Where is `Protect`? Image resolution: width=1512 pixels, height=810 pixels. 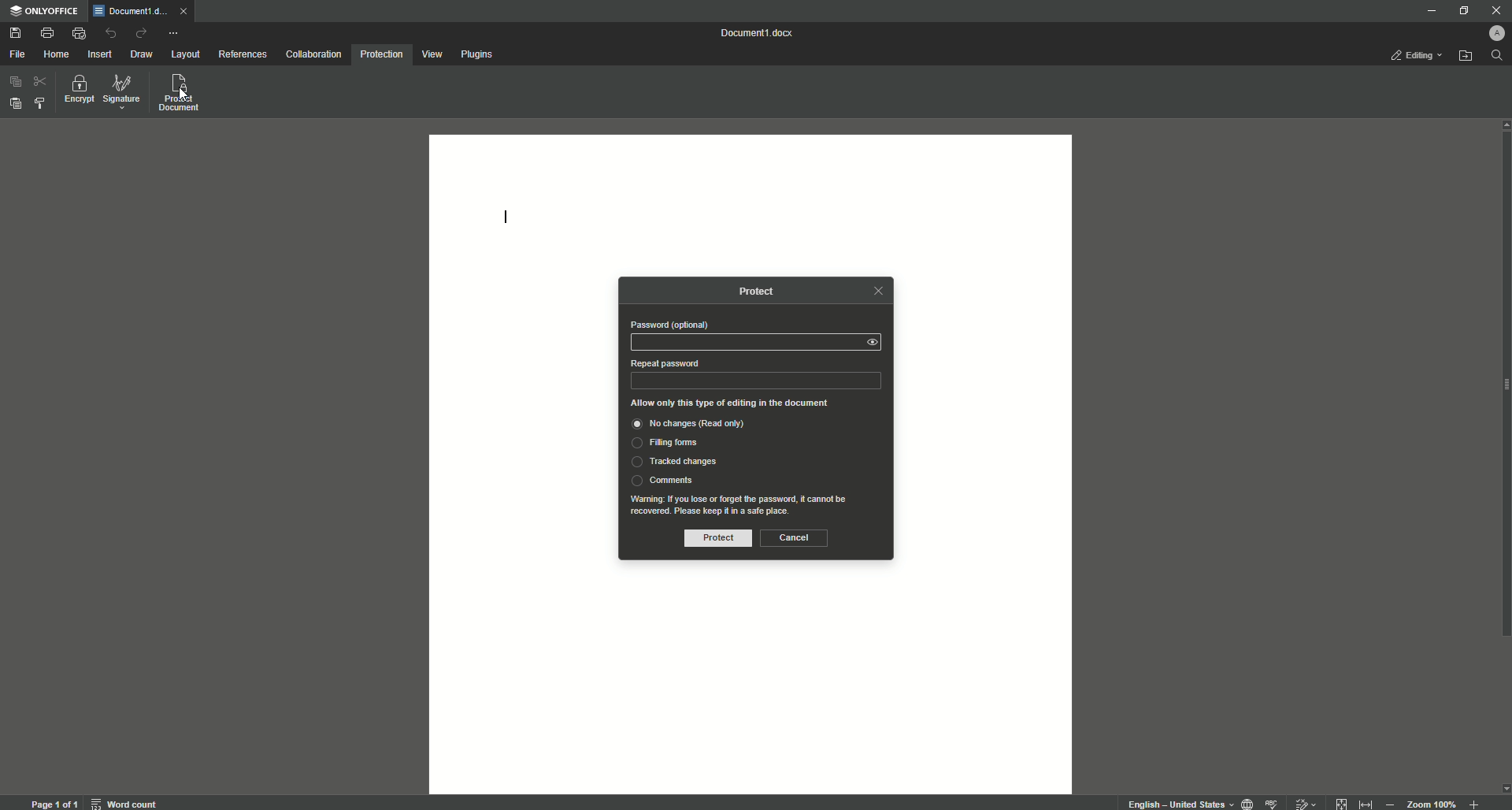 Protect is located at coordinates (713, 539).